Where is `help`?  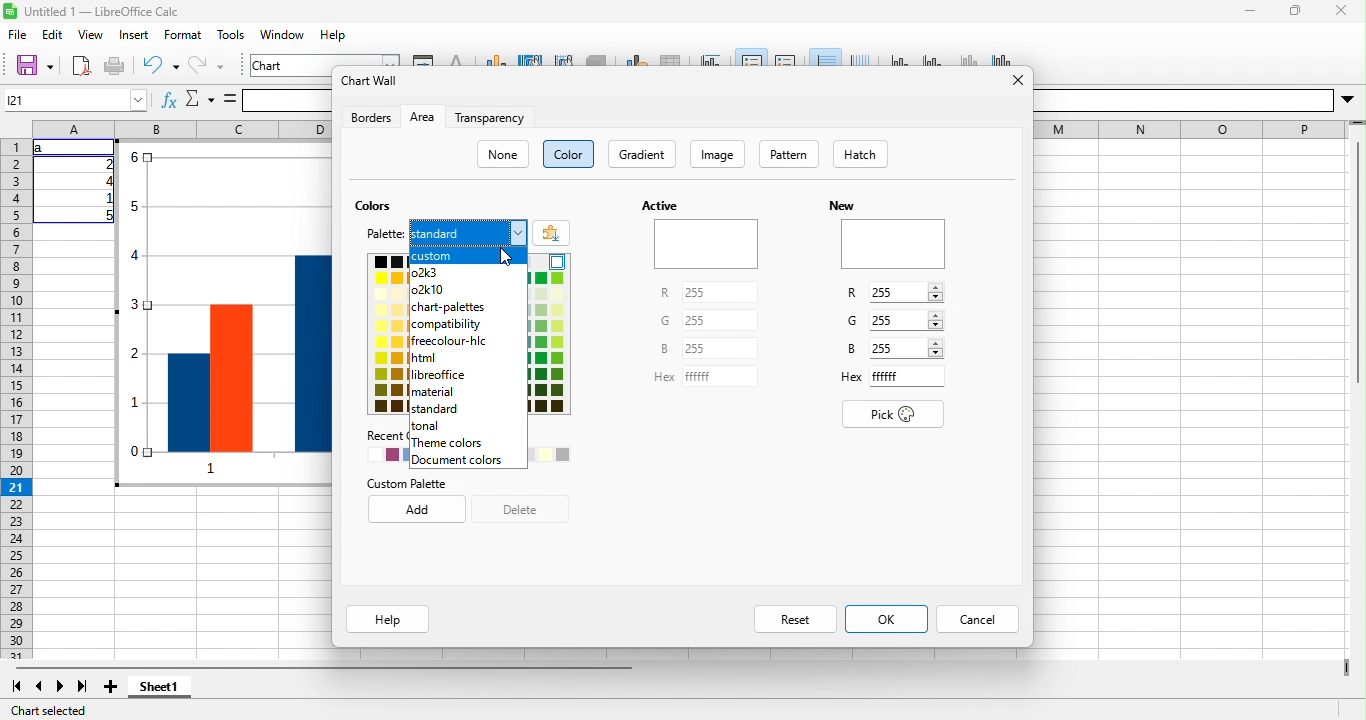
help is located at coordinates (388, 619).